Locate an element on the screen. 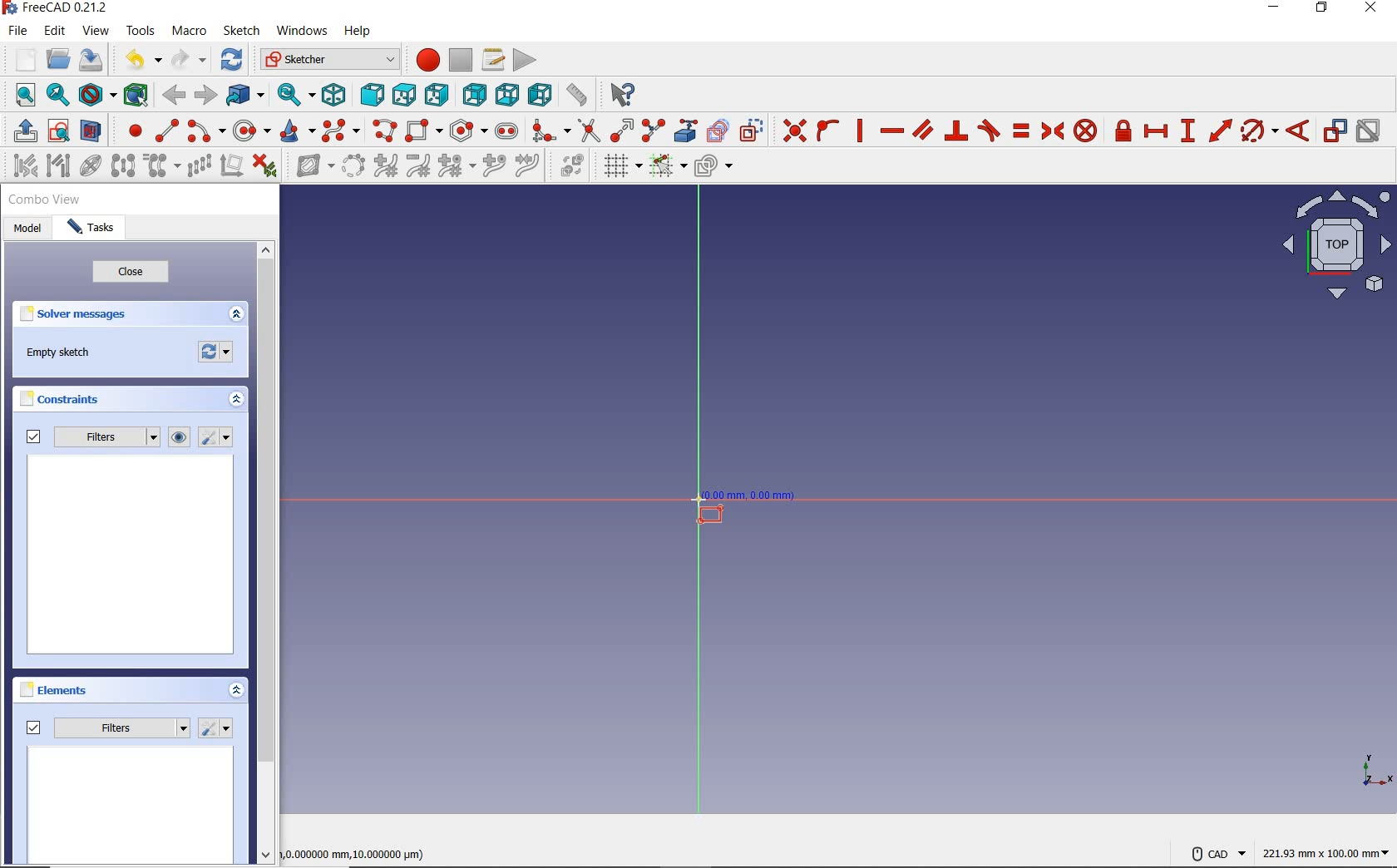 This screenshot has height=868, width=1397. show/hide all listed constraints from3D view is located at coordinates (180, 437).